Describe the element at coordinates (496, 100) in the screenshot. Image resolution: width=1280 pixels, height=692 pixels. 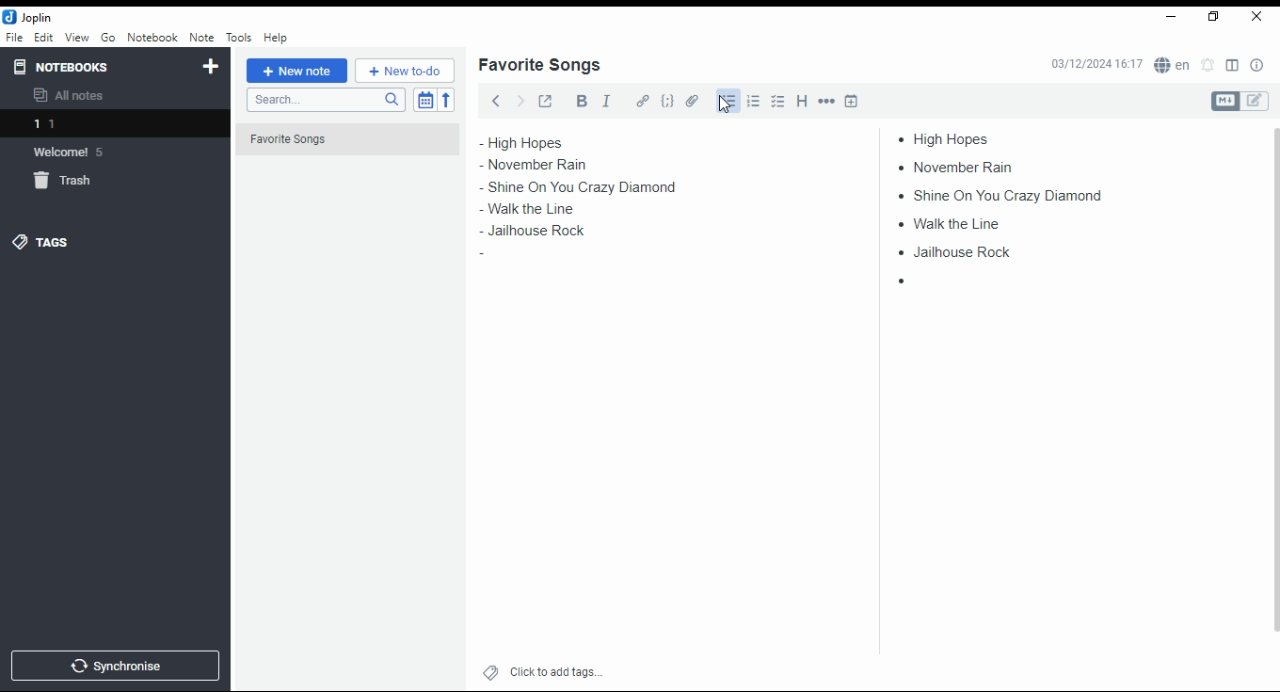
I see `back` at that location.